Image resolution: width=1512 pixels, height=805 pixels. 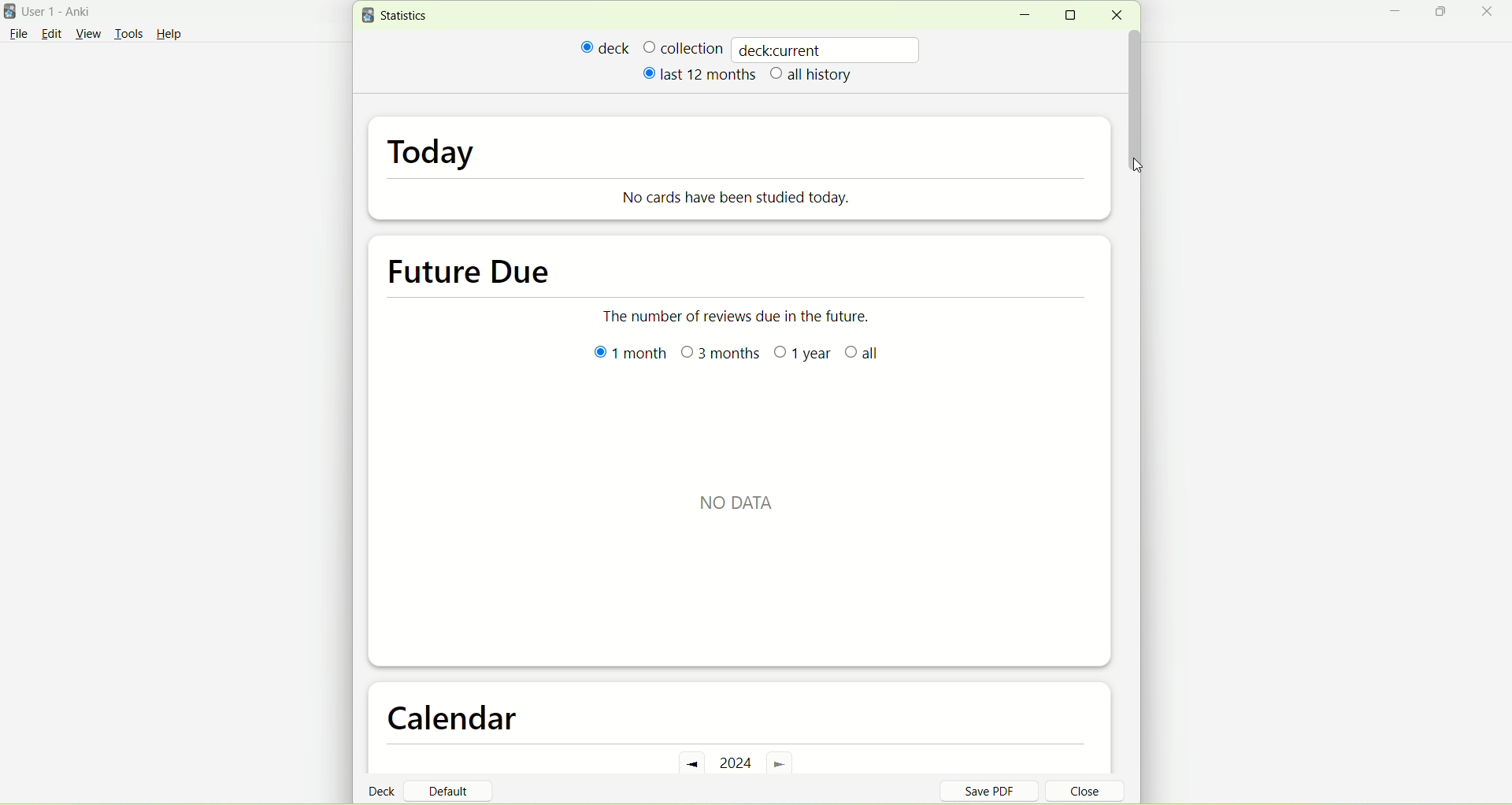 I want to click on view, so click(x=91, y=35).